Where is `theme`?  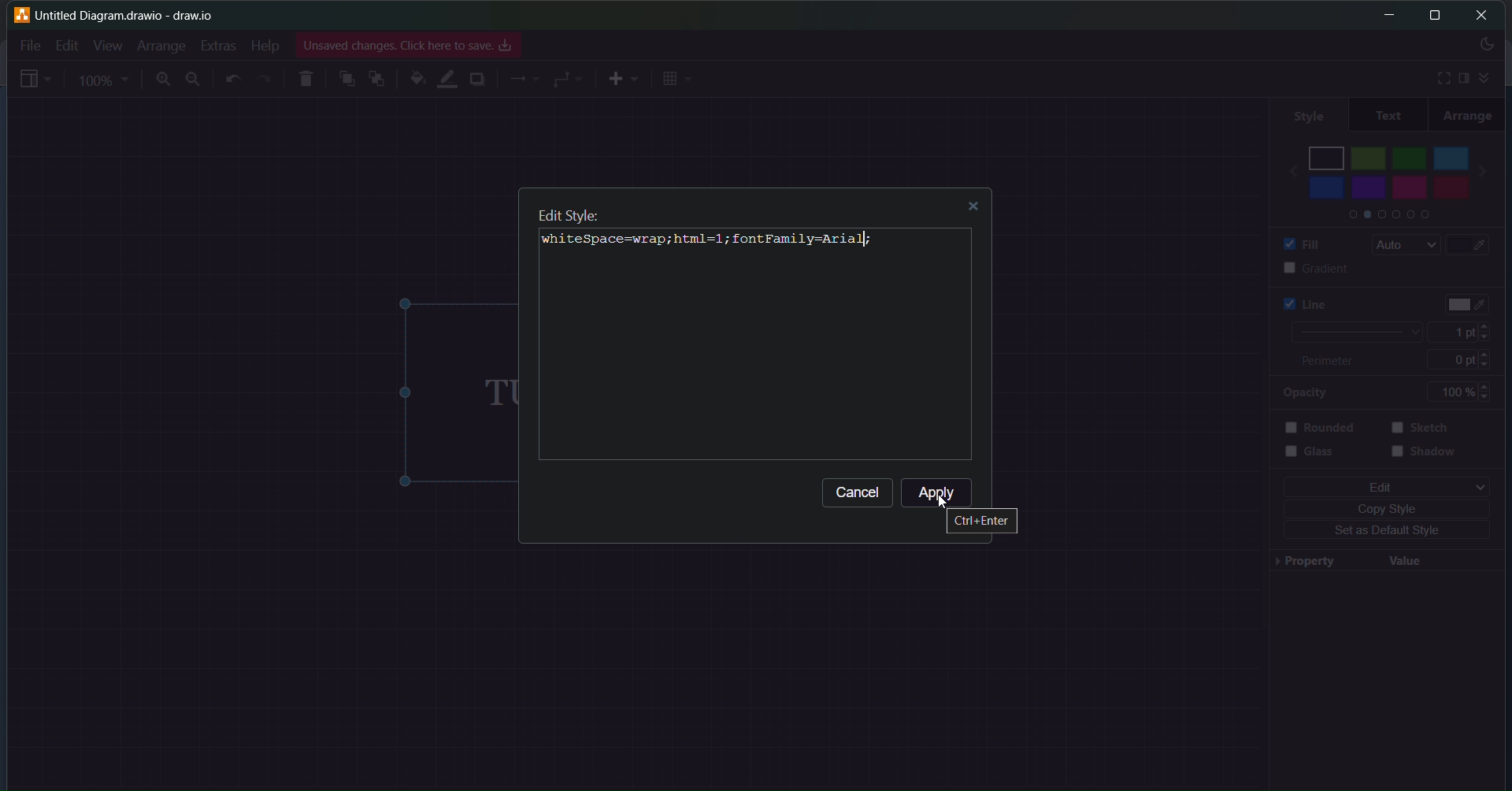 theme is located at coordinates (1485, 46).